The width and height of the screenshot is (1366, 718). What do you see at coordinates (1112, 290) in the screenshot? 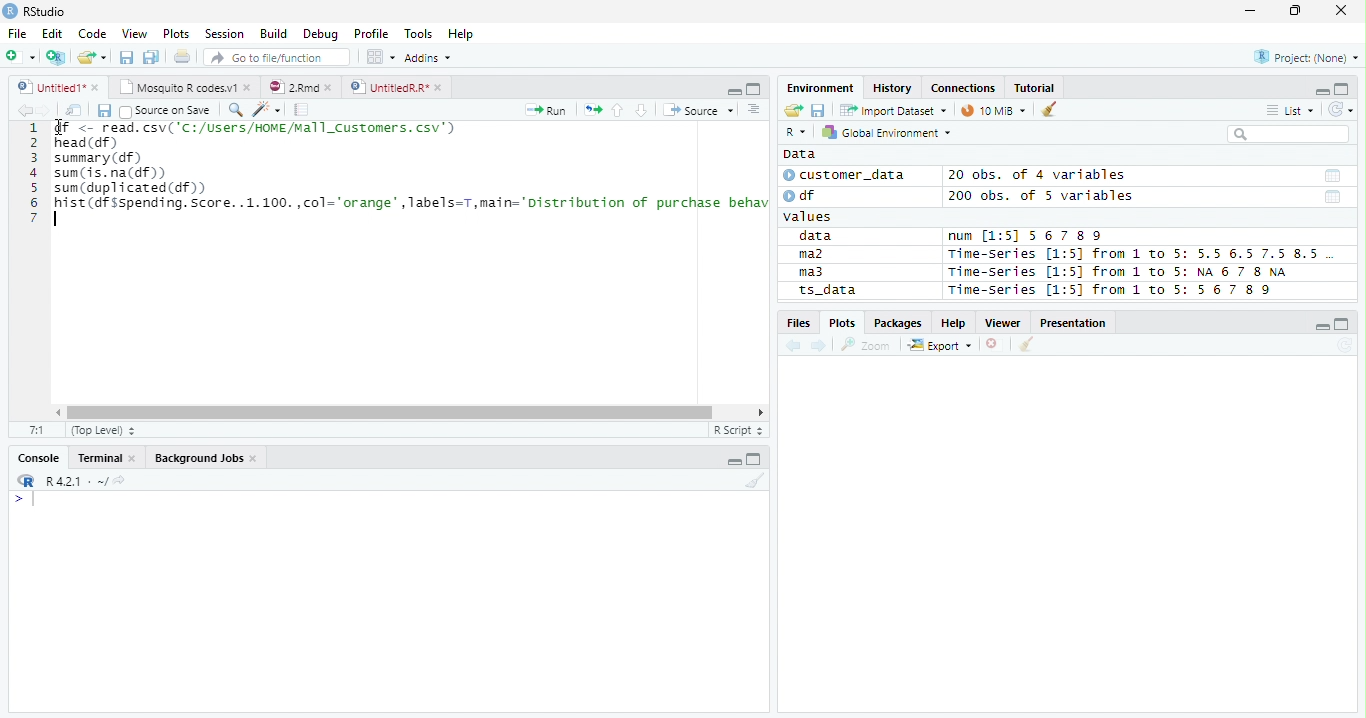
I see `Time-Series [1:5] from 1 to 5: 56 7 8 9` at bounding box center [1112, 290].